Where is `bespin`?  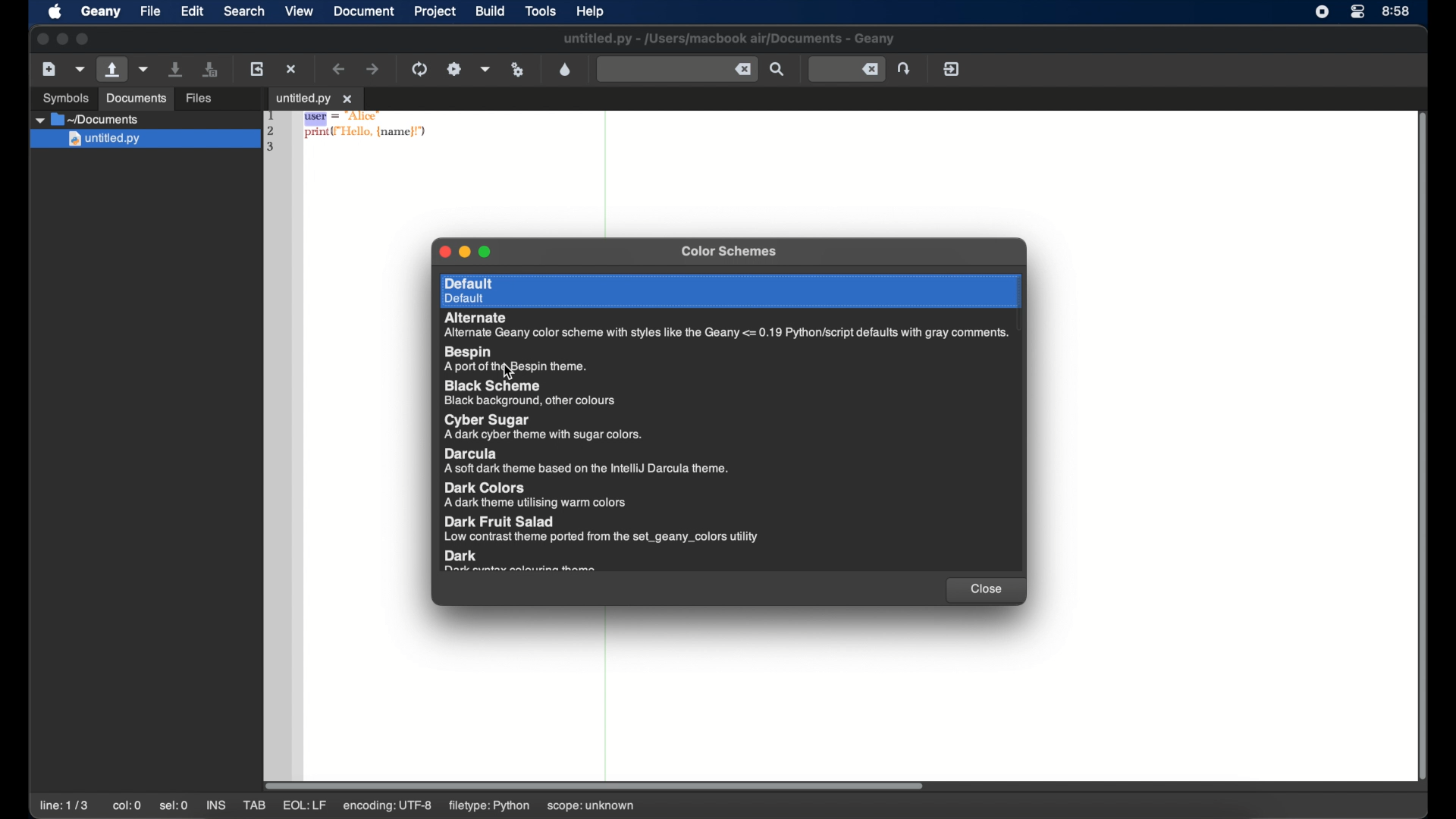 bespin is located at coordinates (516, 359).